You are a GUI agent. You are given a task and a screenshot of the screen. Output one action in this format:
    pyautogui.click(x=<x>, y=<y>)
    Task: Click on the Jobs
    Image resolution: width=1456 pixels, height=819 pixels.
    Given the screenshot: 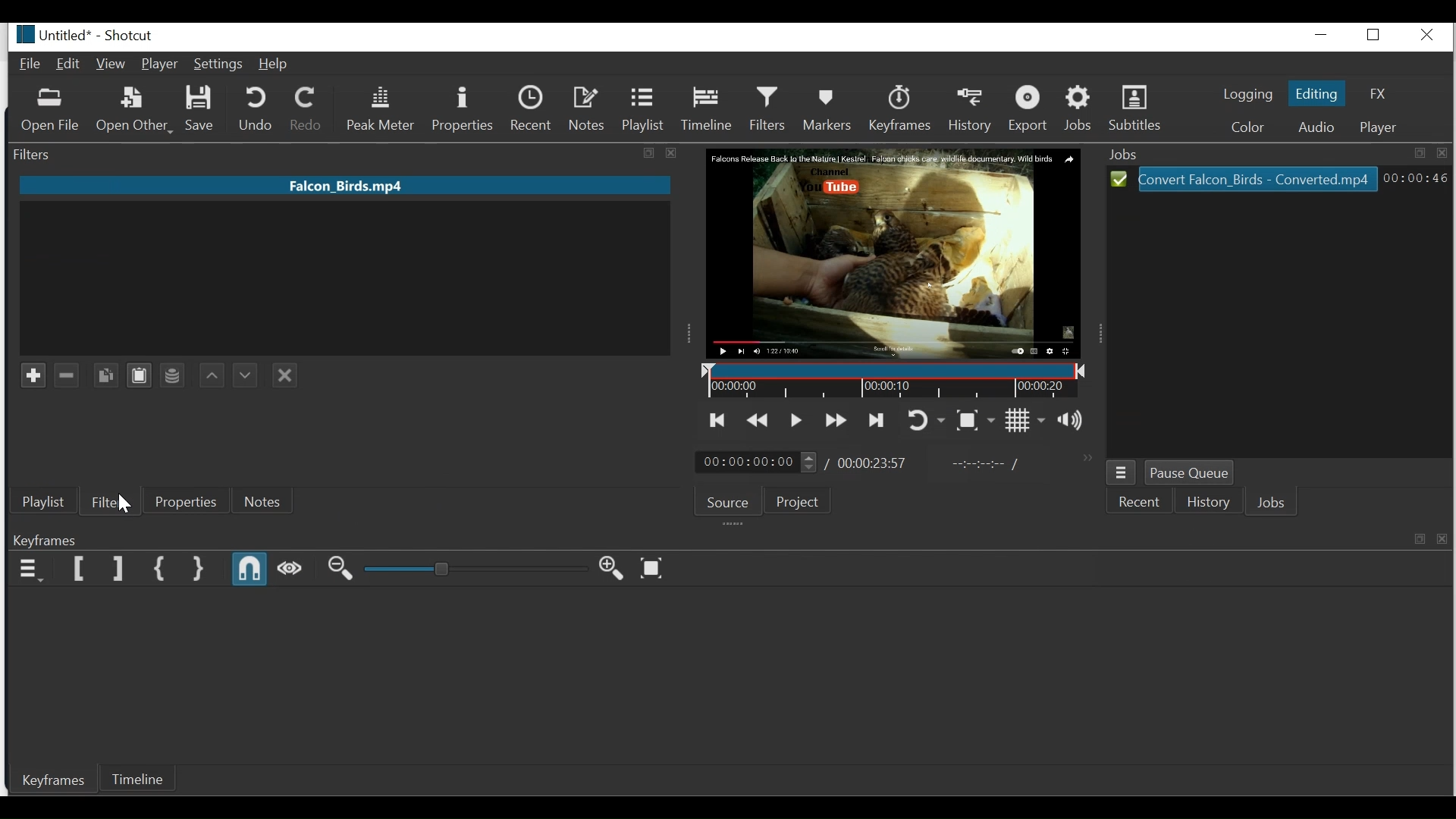 What is the action you would take?
    pyautogui.click(x=1279, y=153)
    